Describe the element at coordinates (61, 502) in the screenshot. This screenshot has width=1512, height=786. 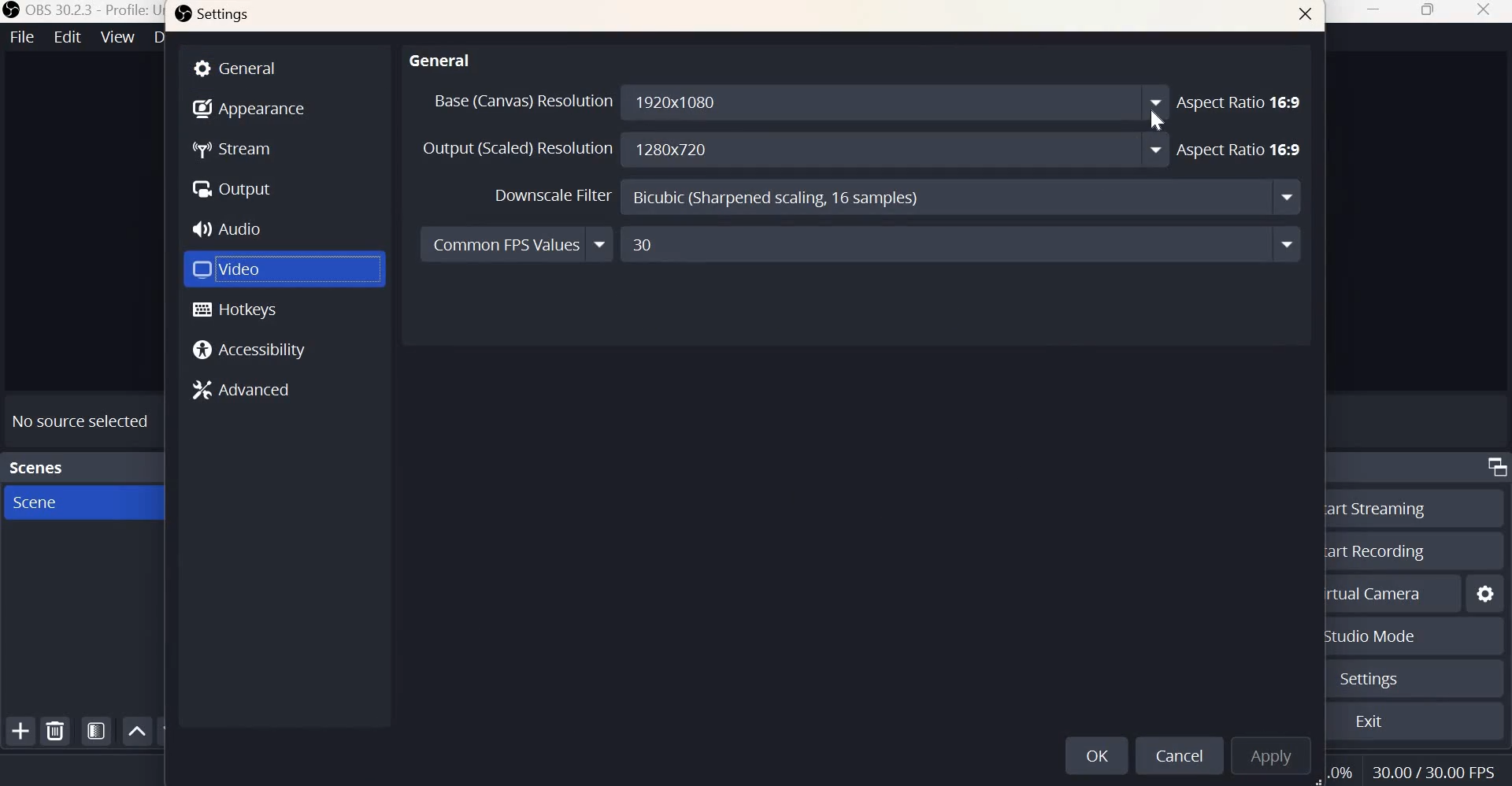
I see `Scene` at that location.